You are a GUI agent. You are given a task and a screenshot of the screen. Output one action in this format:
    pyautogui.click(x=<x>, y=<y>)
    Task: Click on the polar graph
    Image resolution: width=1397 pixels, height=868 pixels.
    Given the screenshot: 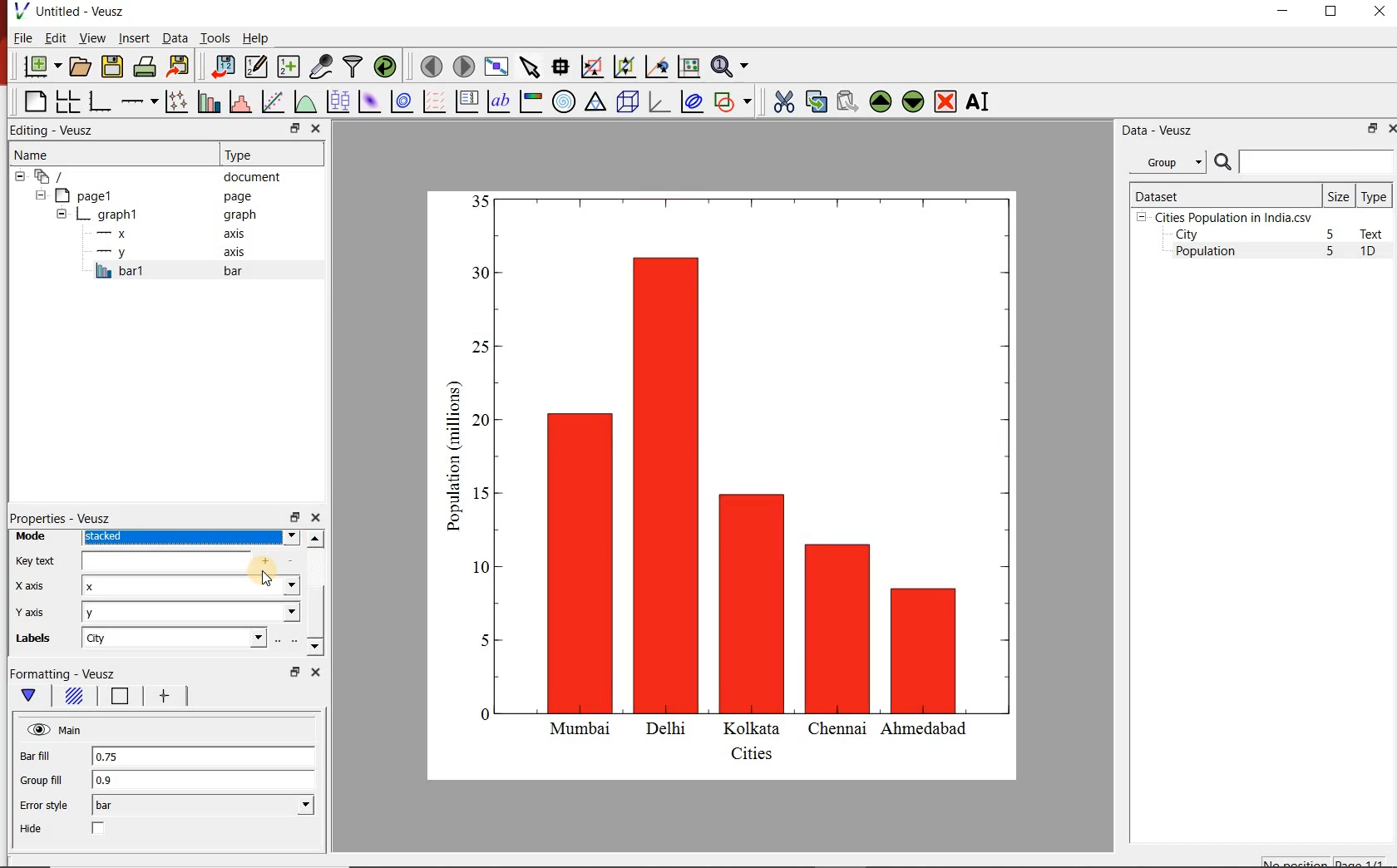 What is the action you would take?
    pyautogui.click(x=564, y=101)
    